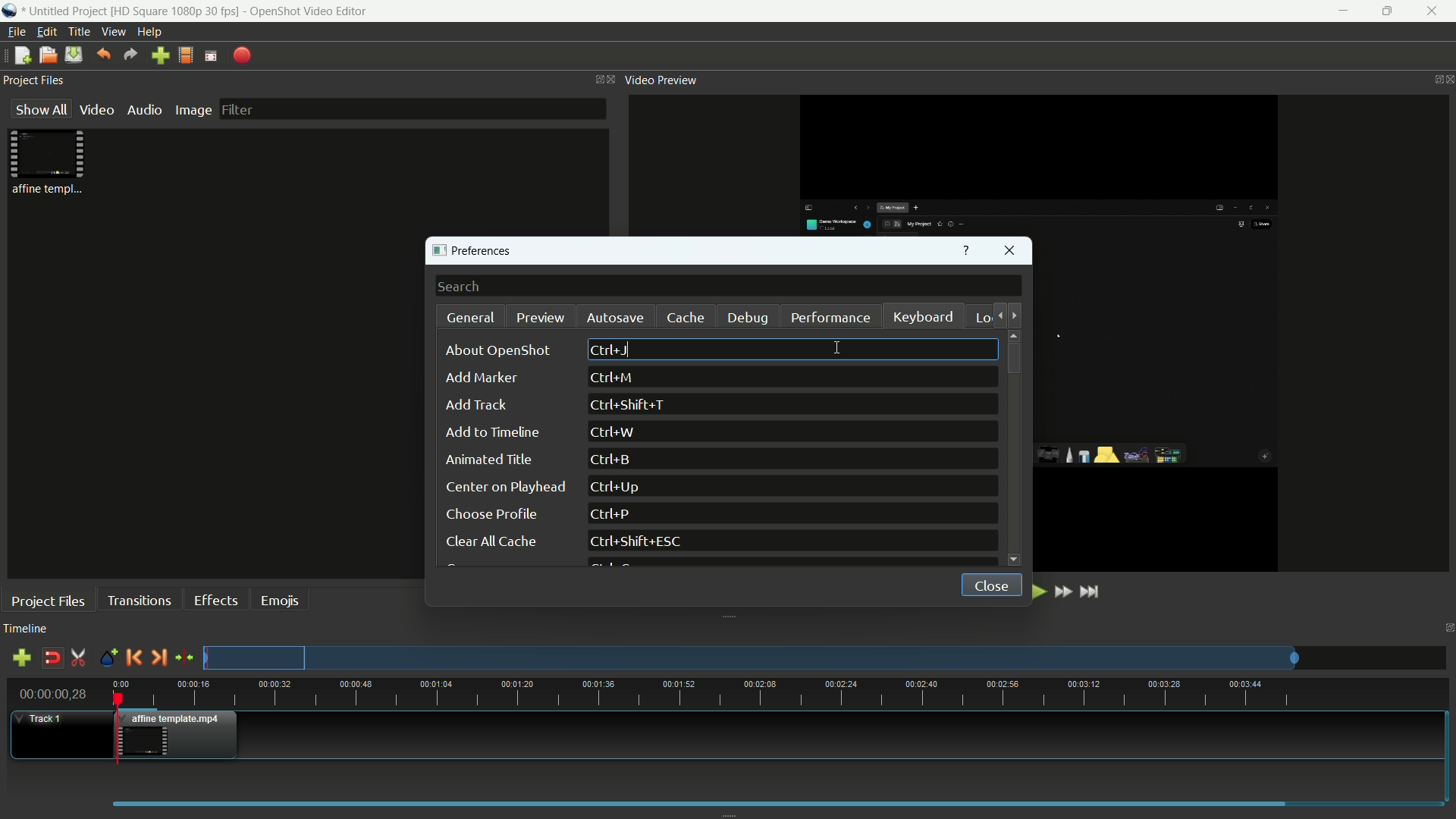 The width and height of the screenshot is (1456, 819). Describe the element at coordinates (639, 542) in the screenshot. I see `keyboard shortcut` at that location.